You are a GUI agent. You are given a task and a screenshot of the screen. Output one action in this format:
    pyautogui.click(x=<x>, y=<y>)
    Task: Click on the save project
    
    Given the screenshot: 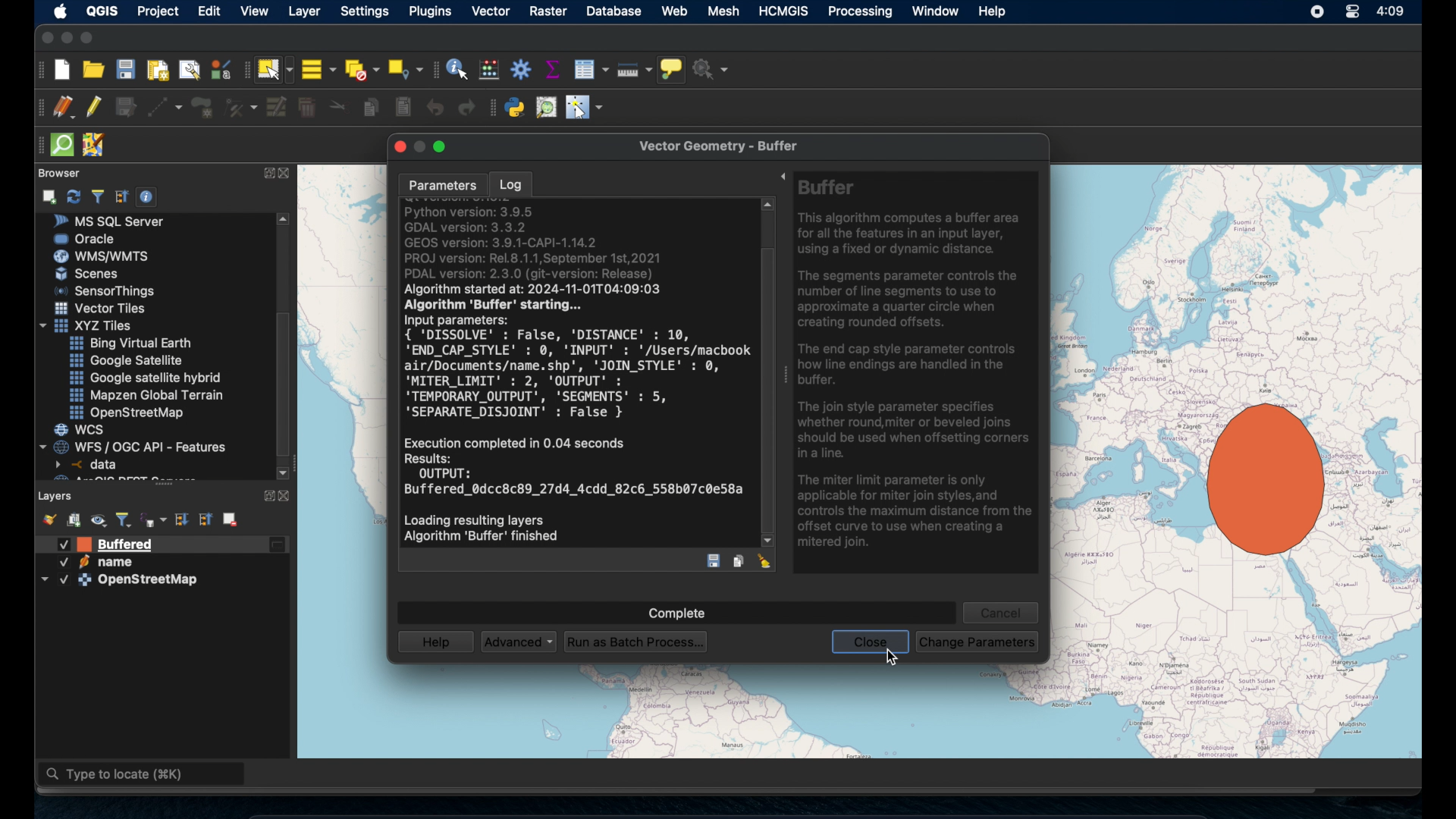 What is the action you would take?
    pyautogui.click(x=126, y=71)
    